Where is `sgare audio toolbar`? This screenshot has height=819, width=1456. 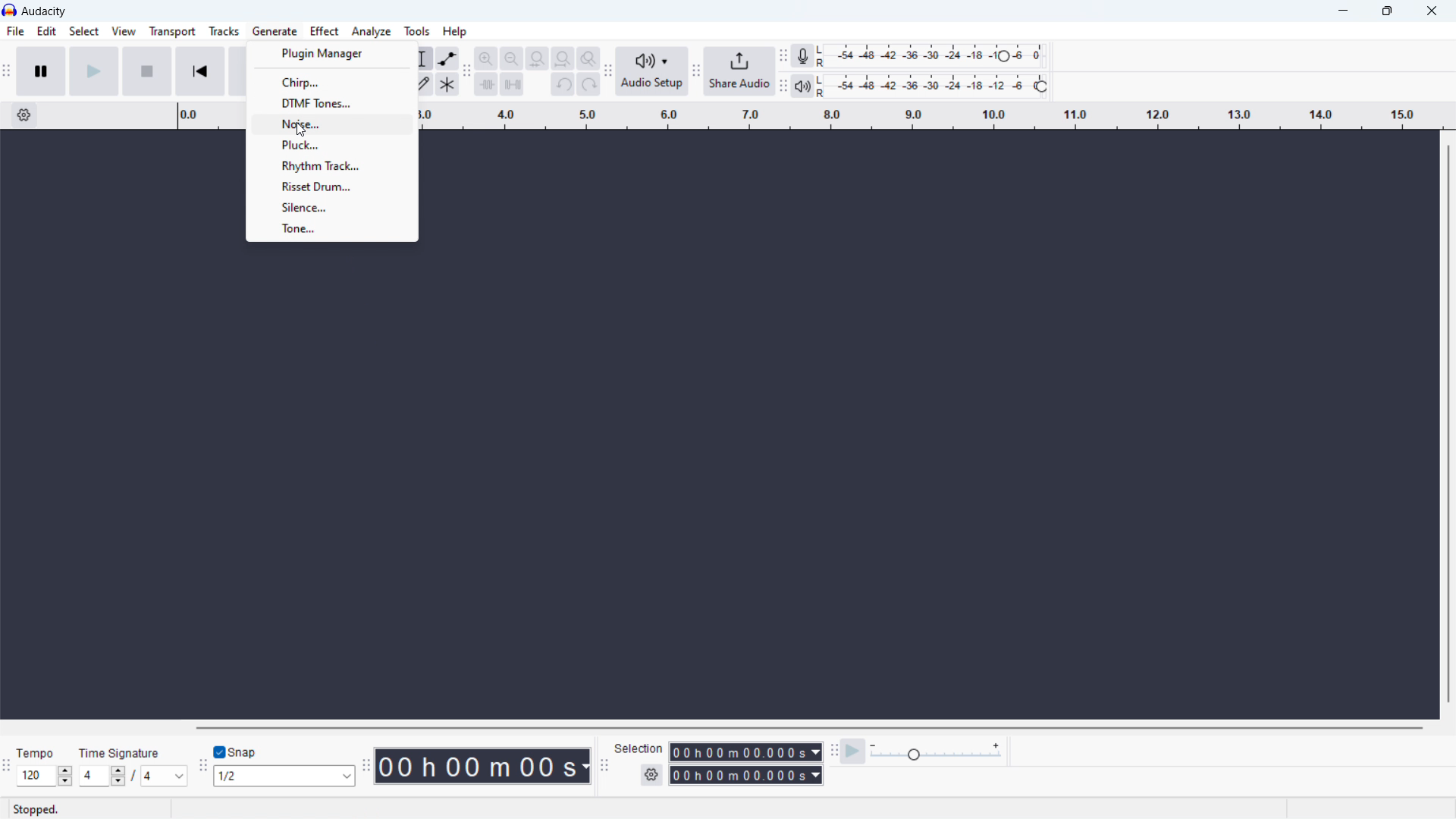
sgare audio toolbar is located at coordinates (696, 72).